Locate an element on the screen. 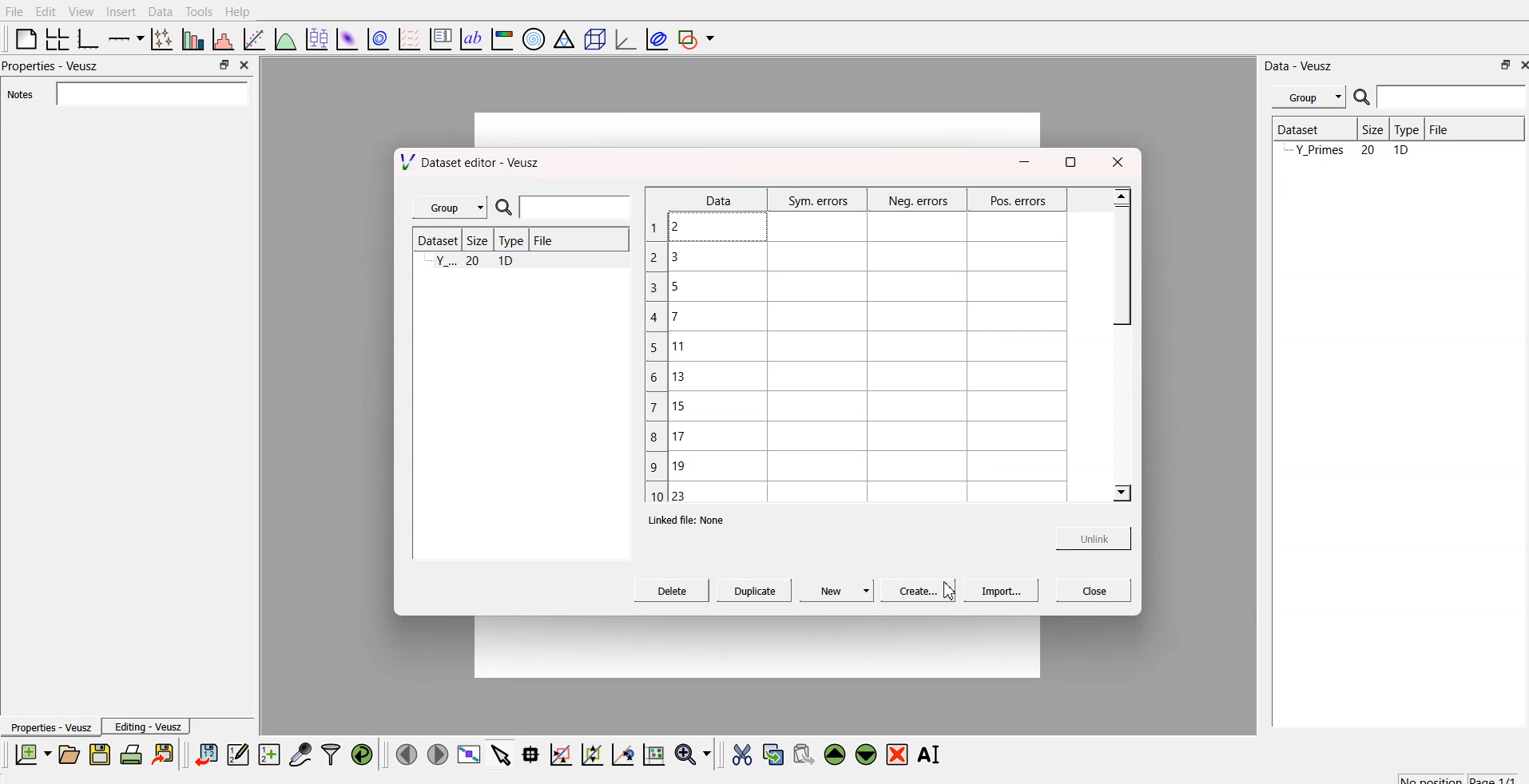  no position page 1/1 is located at coordinates (1450, 776).